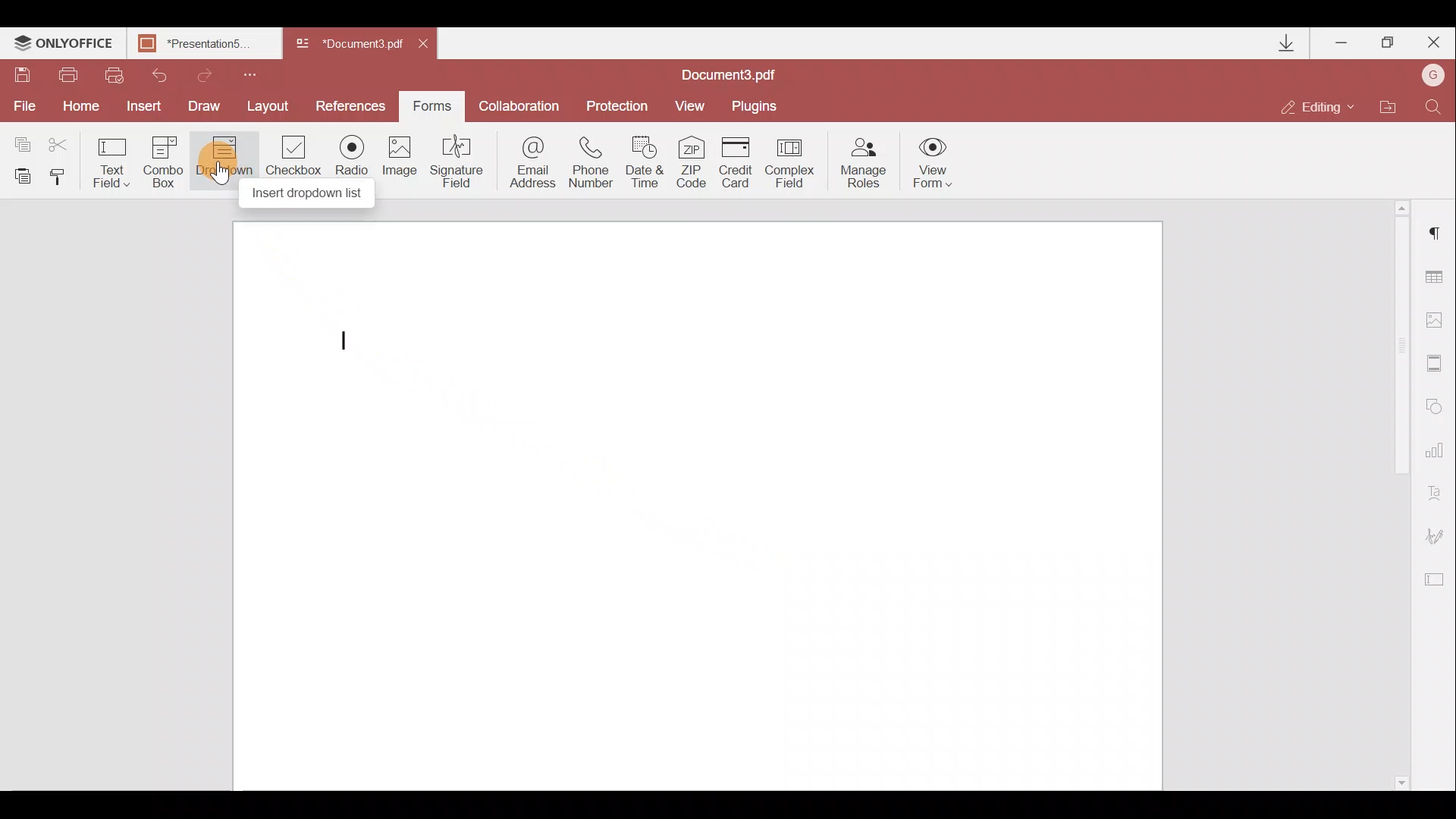  I want to click on Combo box, so click(162, 162).